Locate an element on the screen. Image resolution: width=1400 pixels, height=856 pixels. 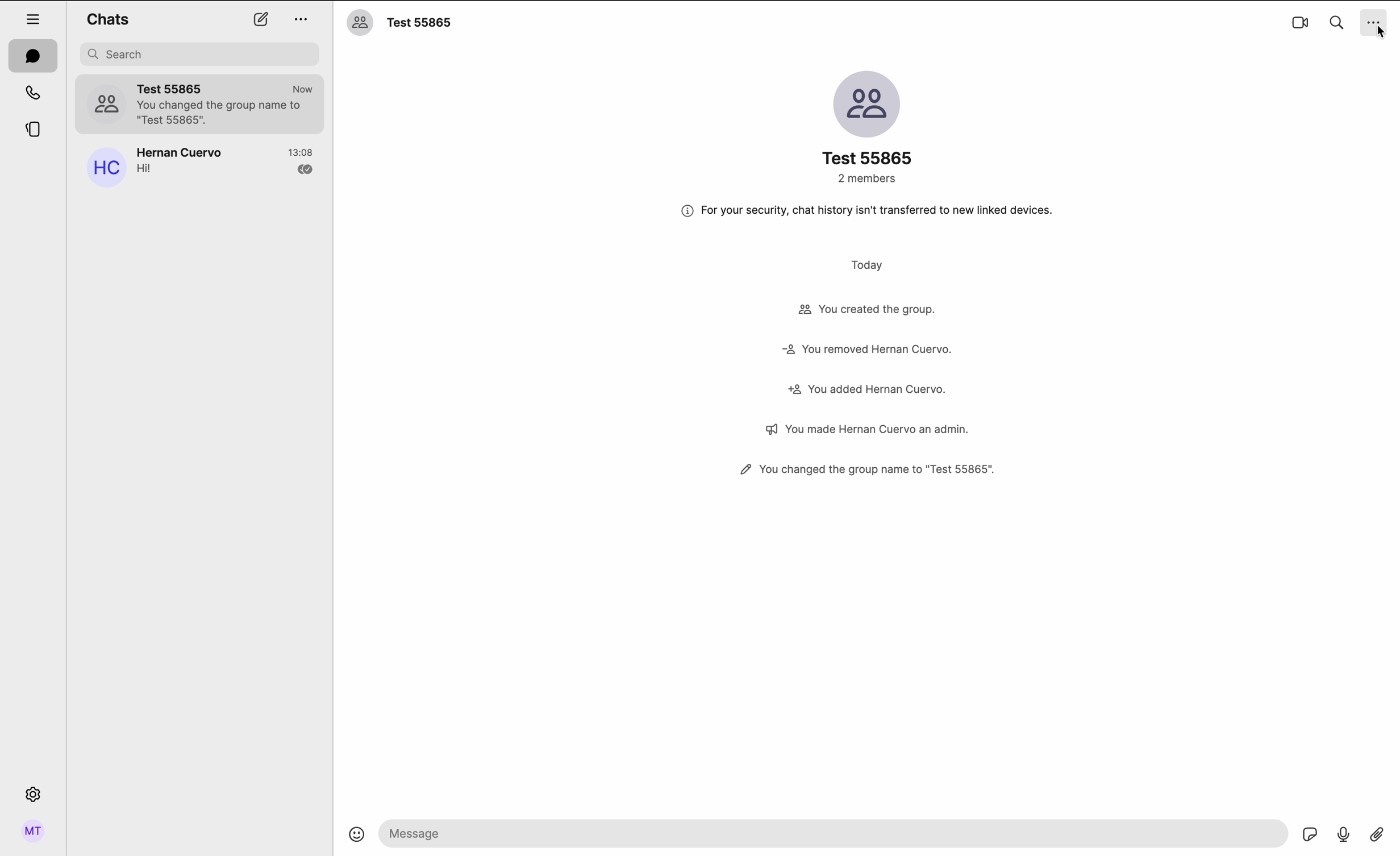
voice record is located at coordinates (1345, 837).